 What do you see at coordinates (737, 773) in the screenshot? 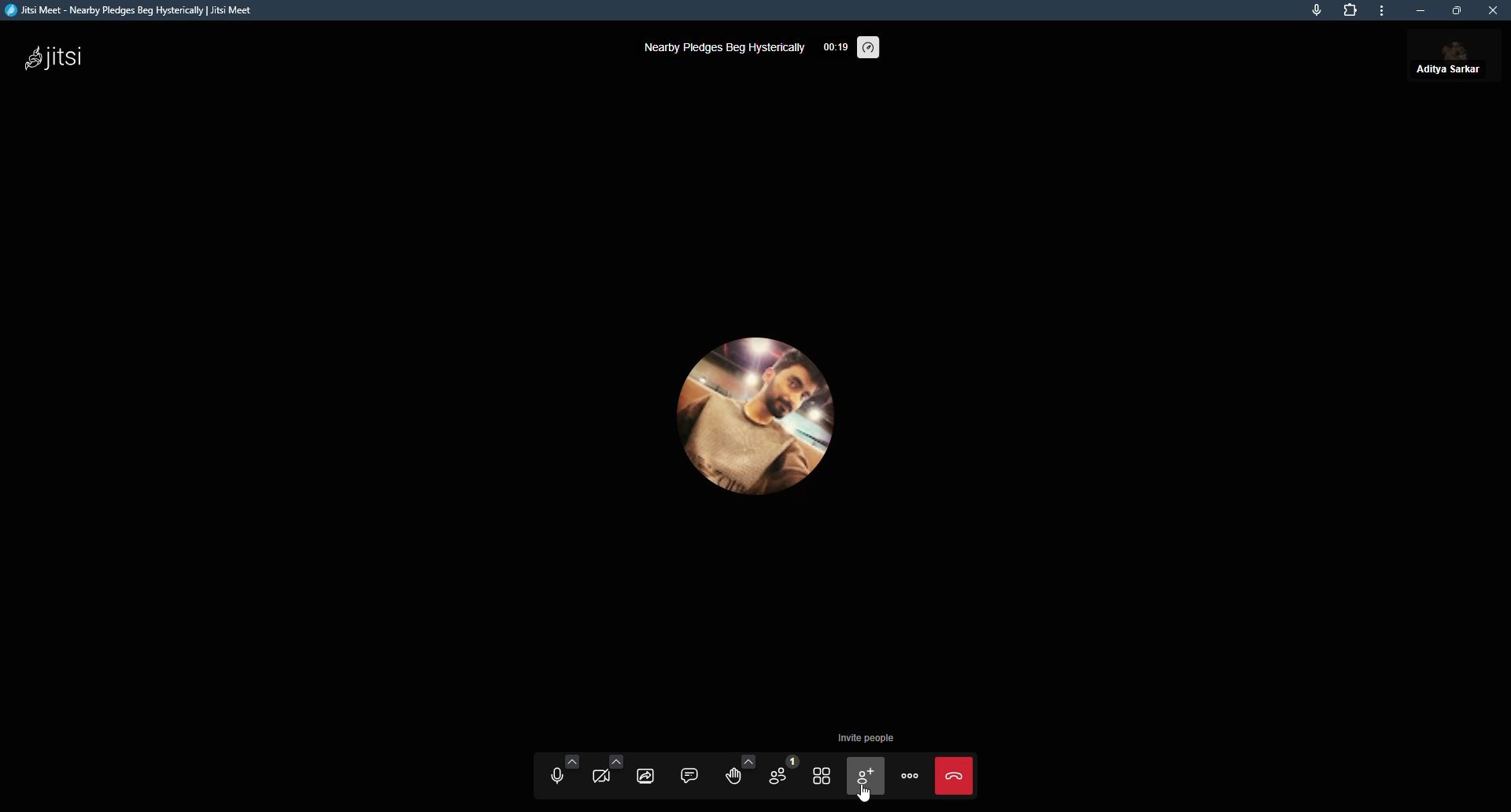
I see `raise hand` at bounding box center [737, 773].